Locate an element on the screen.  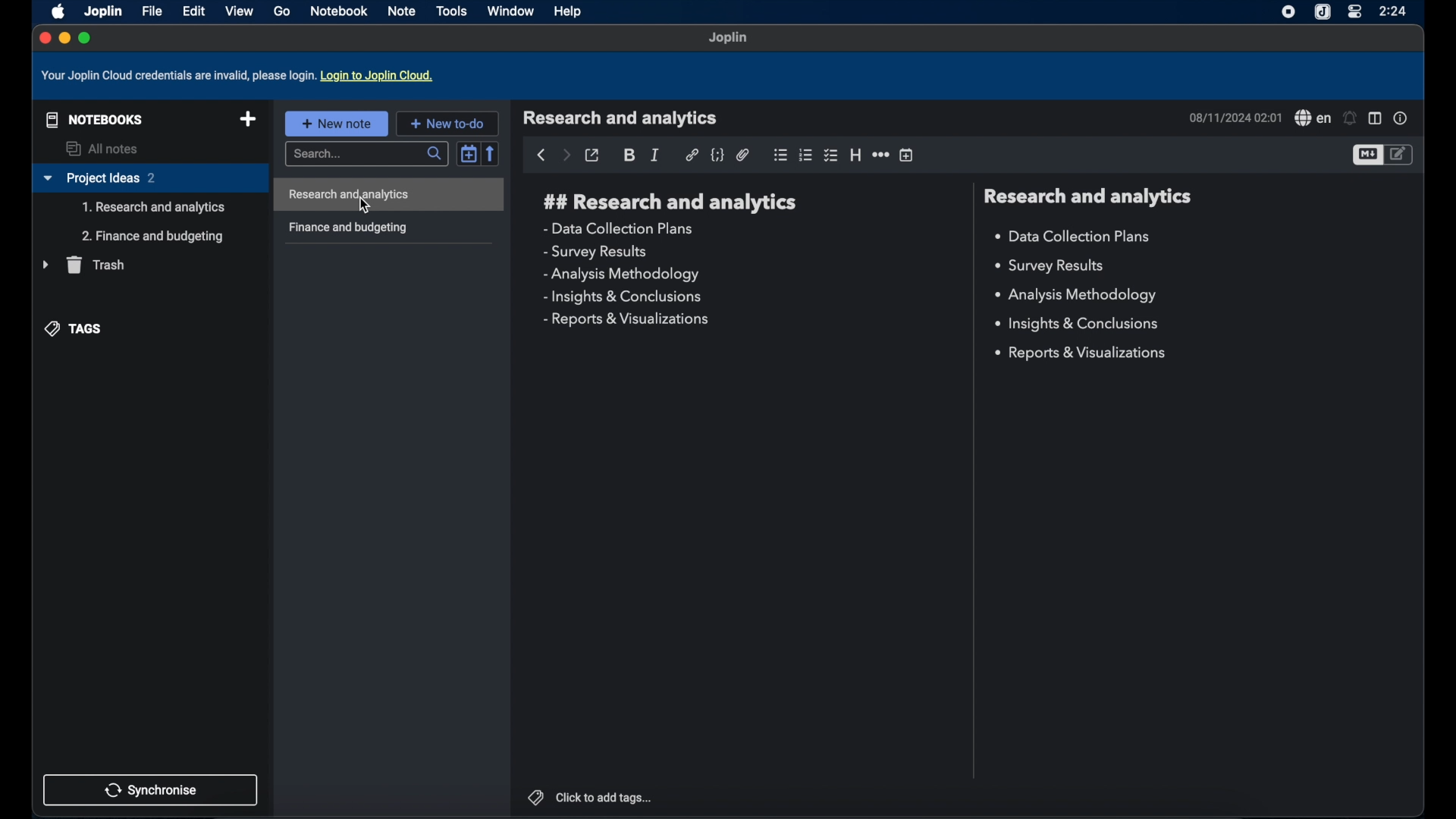
attach file is located at coordinates (743, 155).